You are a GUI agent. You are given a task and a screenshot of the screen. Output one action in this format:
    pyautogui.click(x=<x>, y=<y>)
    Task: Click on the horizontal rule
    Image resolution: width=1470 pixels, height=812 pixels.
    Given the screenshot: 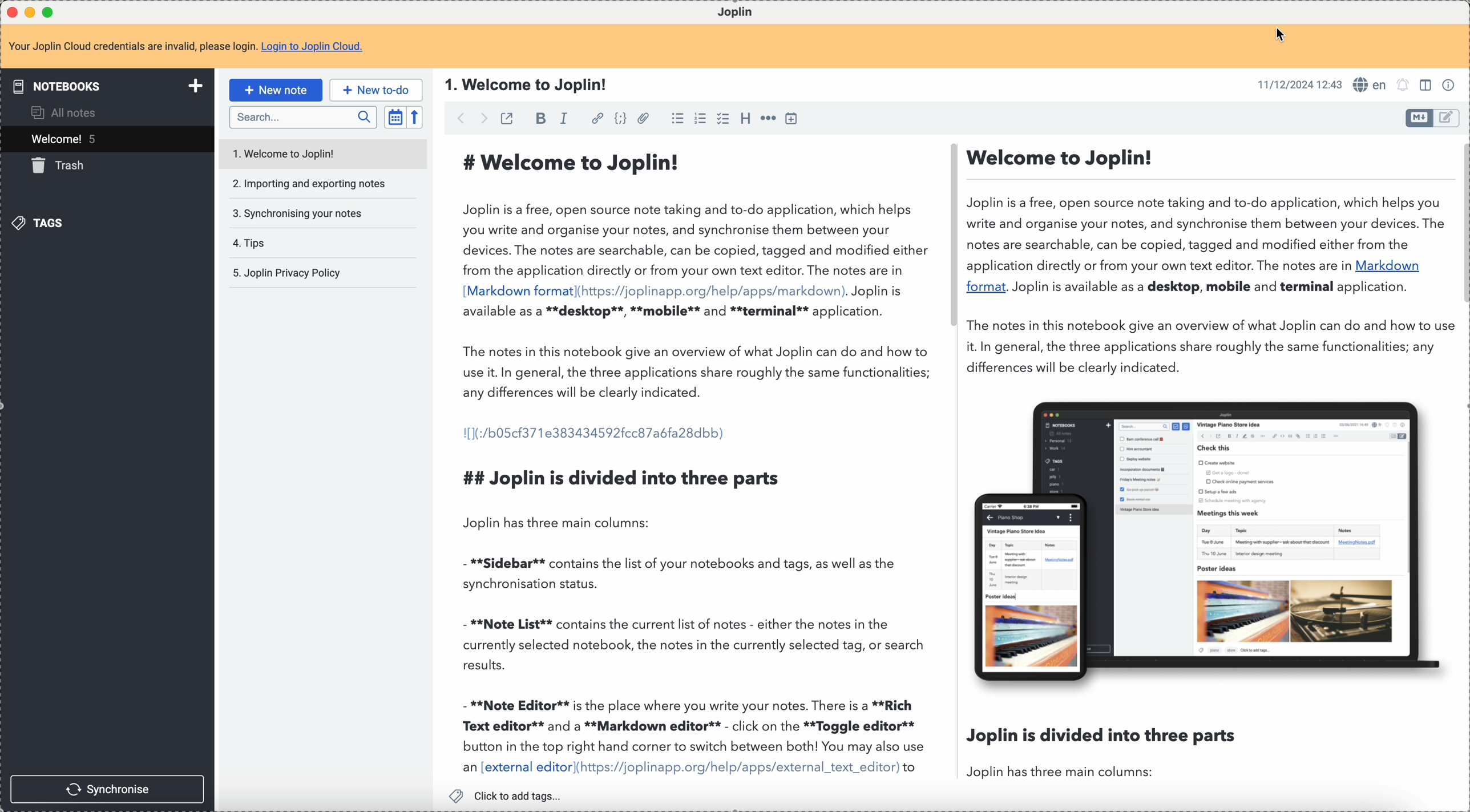 What is the action you would take?
    pyautogui.click(x=767, y=119)
    